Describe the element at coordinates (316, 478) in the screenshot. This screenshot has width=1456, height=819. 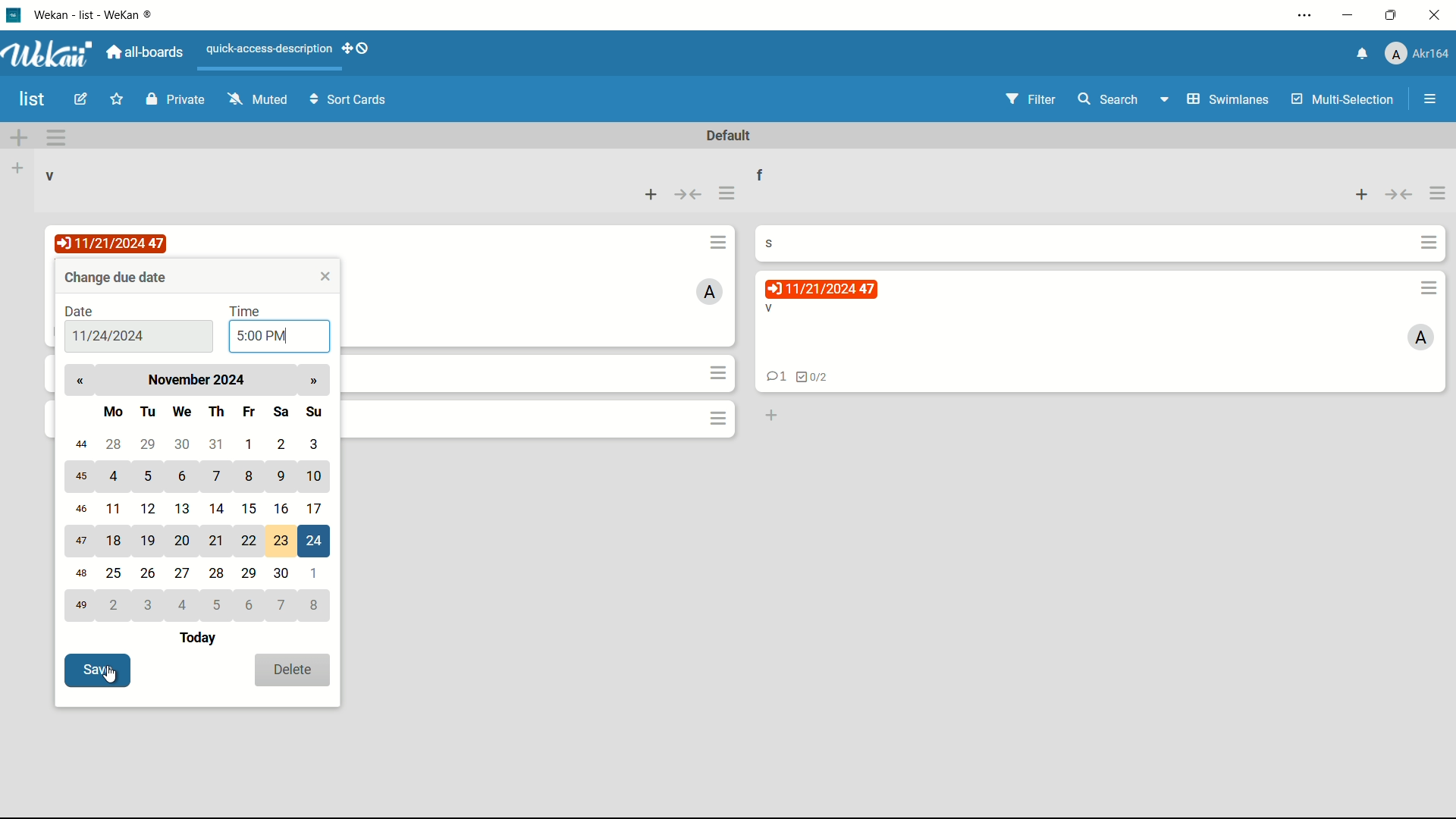
I see `10` at that location.